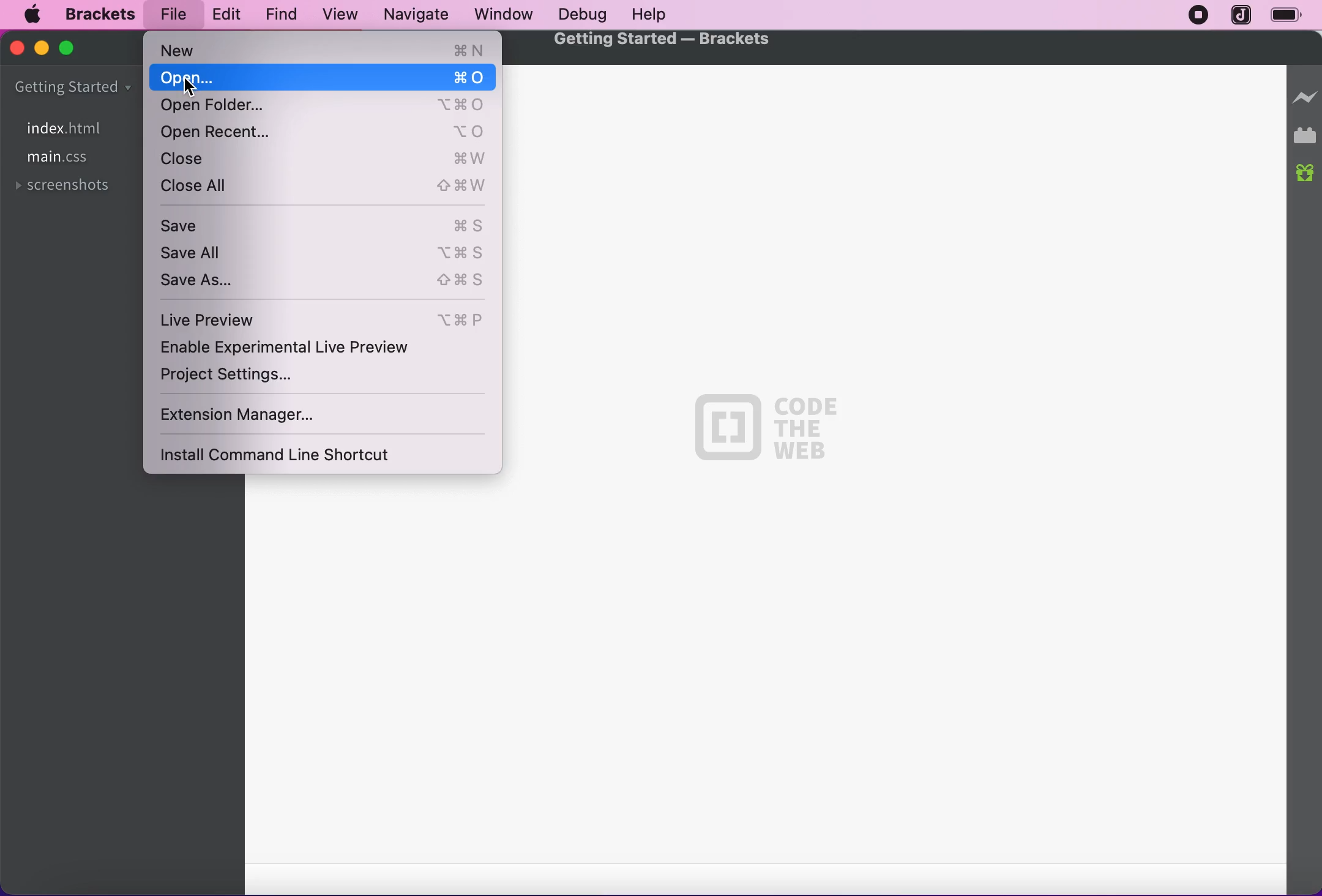 The image size is (1322, 896). I want to click on index.html, so click(64, 128).